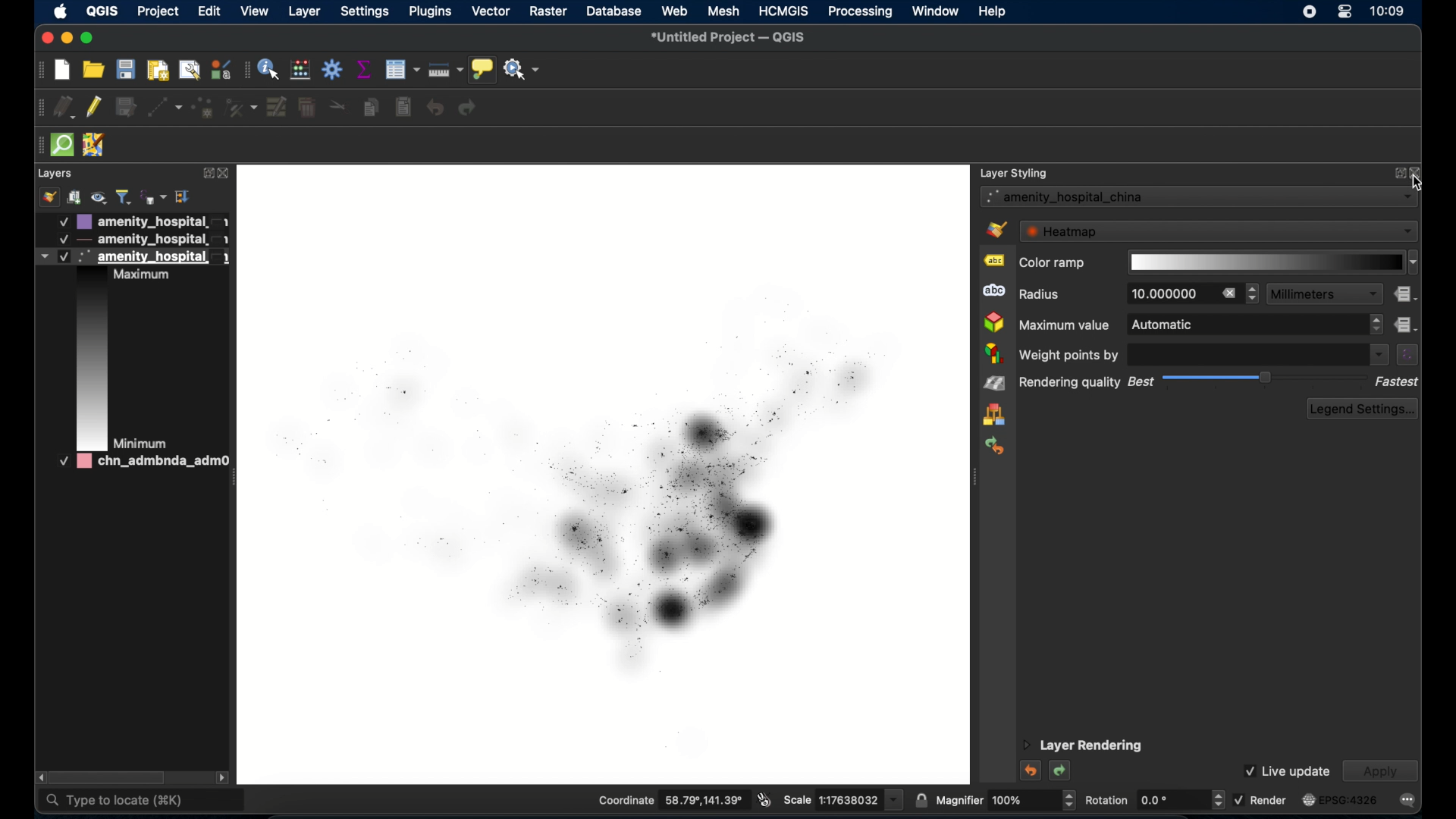  Describe the element at coordinates (93, 70) in the screenshot. I see `open project` at that location.